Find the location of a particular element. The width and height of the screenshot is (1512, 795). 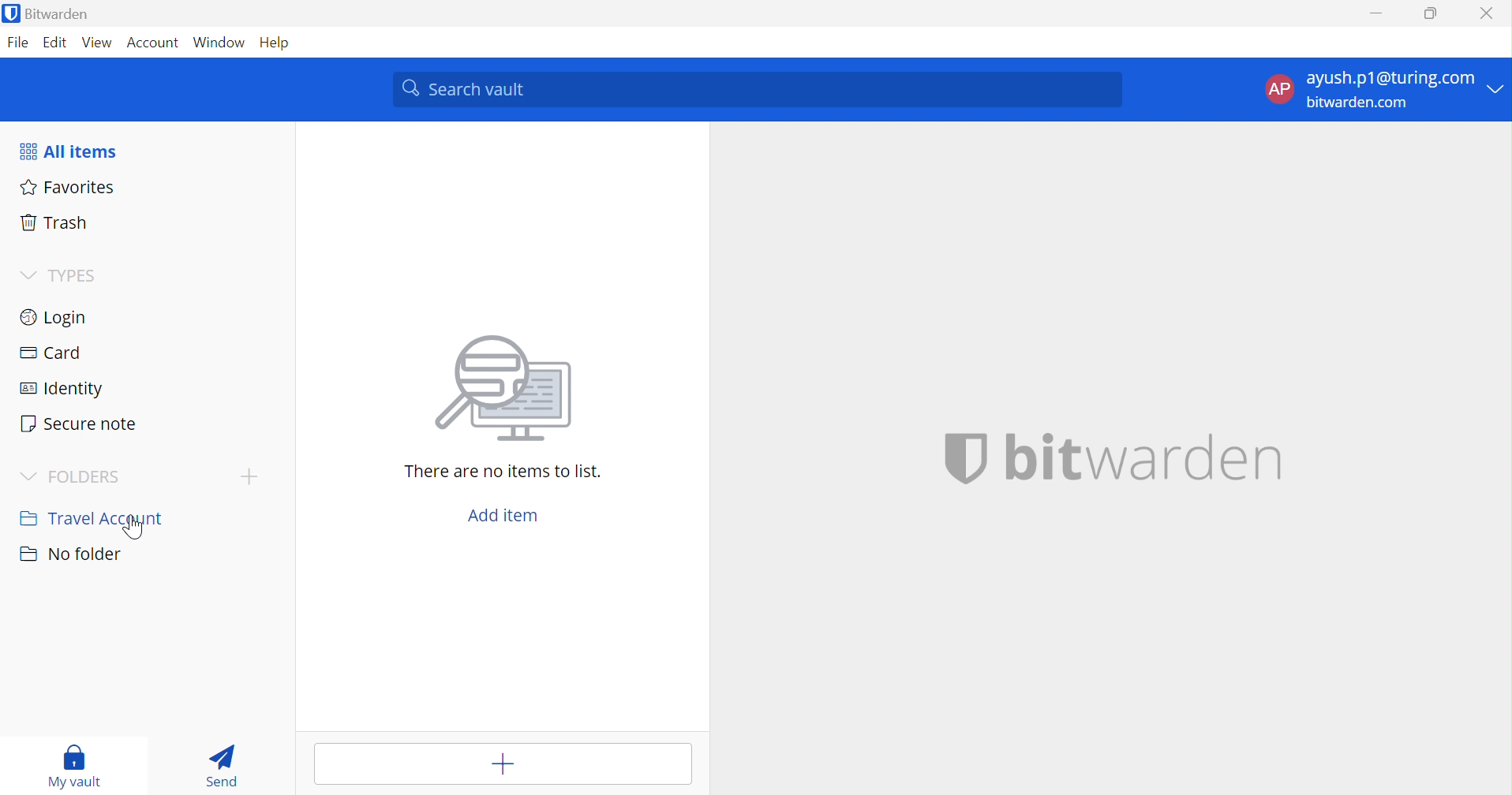

bitwarden logo is located at coordinates (955, 457).